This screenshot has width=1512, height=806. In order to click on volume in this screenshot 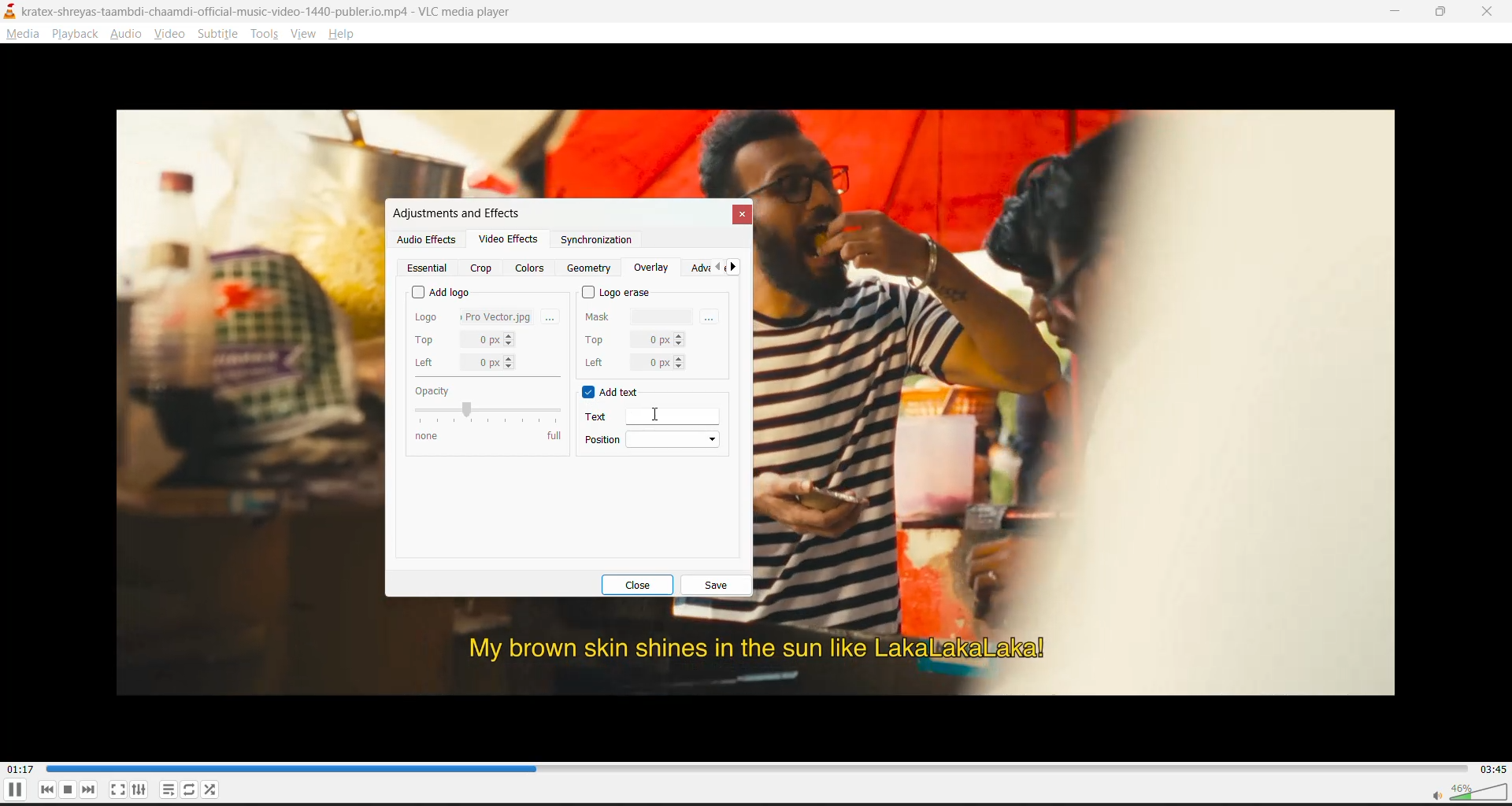, I will do `click(1464, 792)`.